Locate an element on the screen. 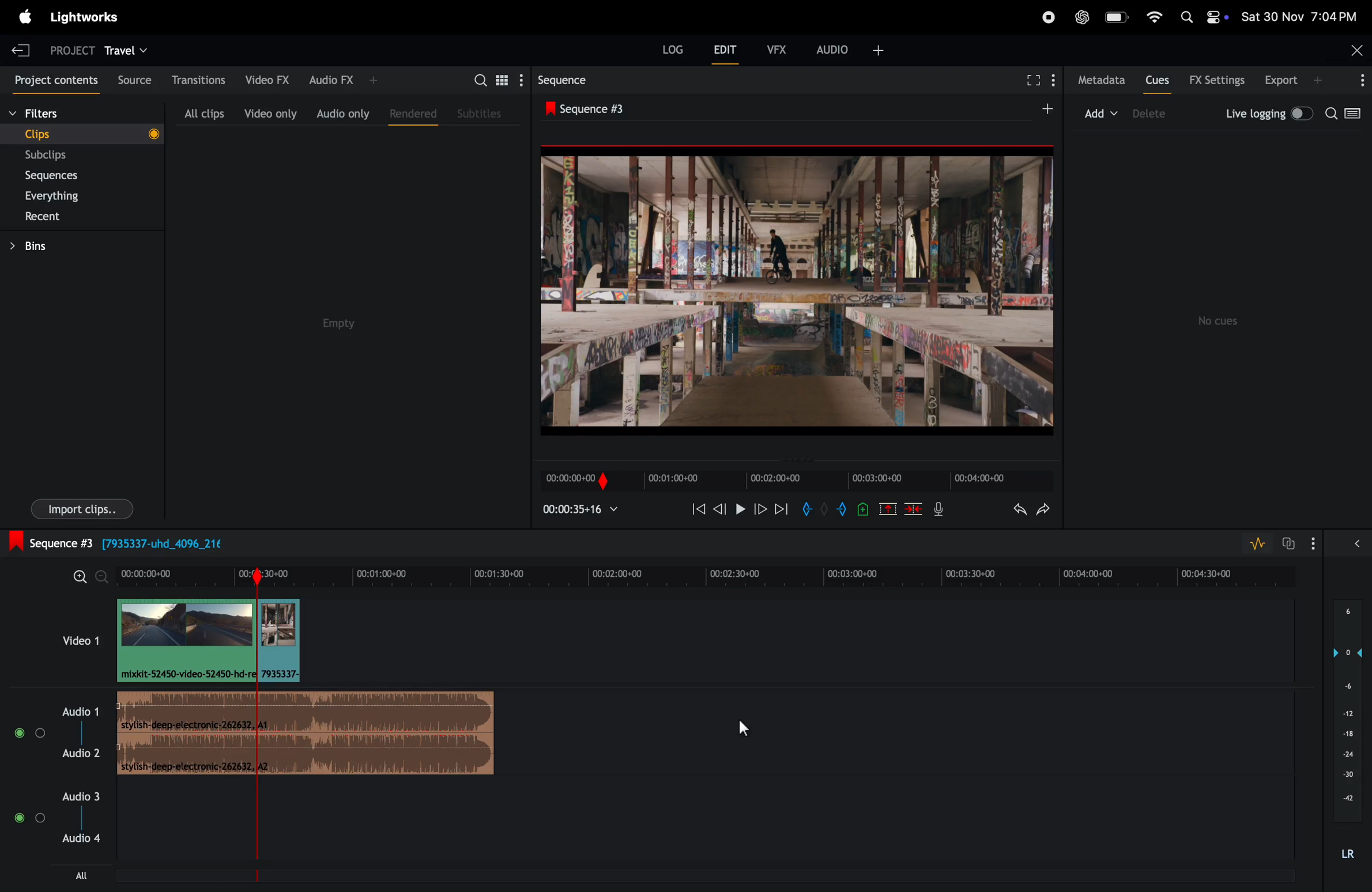  -42 (layers) is located at coordinates (1344, 799).